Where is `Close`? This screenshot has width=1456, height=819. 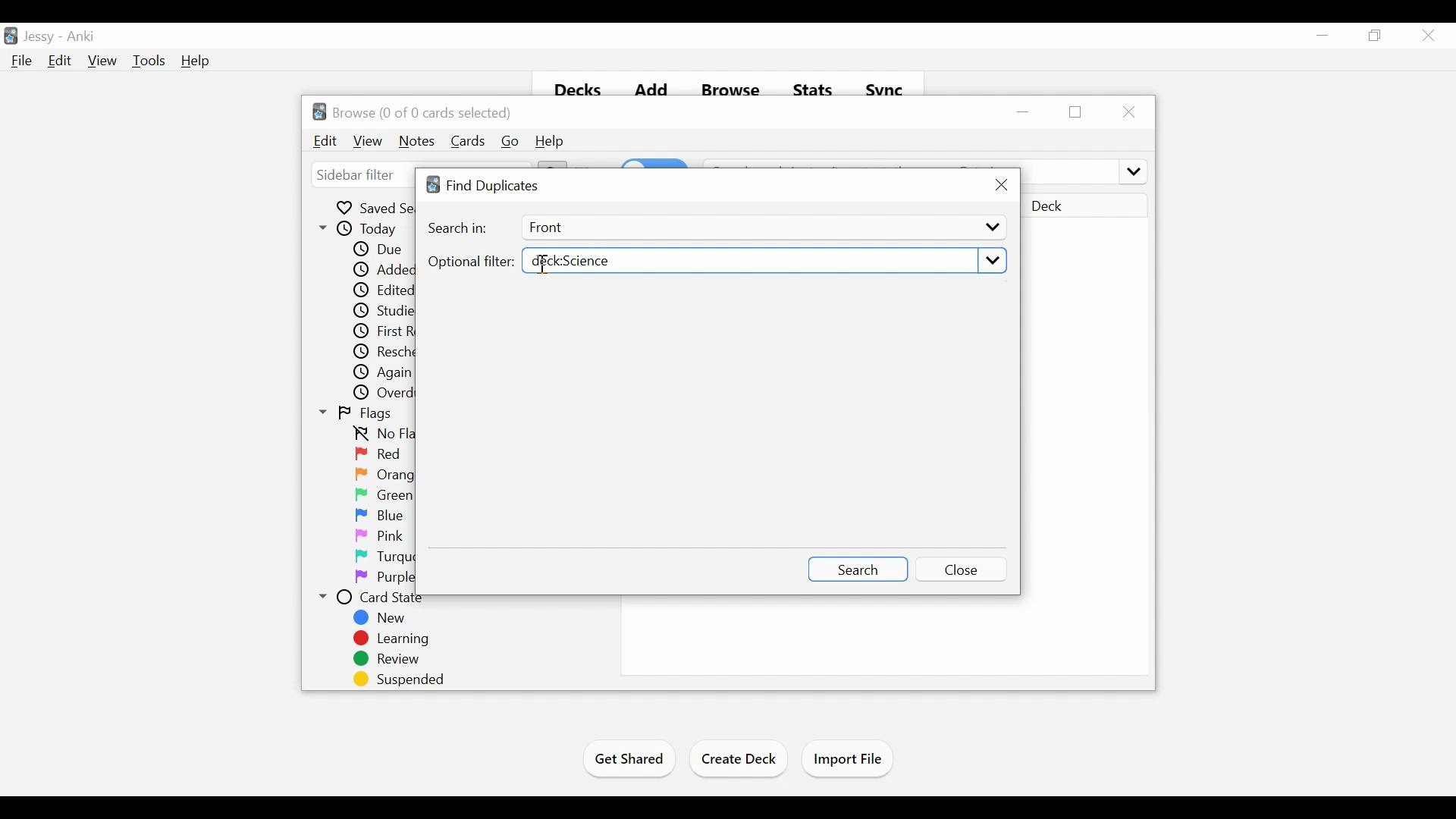 Close is located at coordinates (963, 568).